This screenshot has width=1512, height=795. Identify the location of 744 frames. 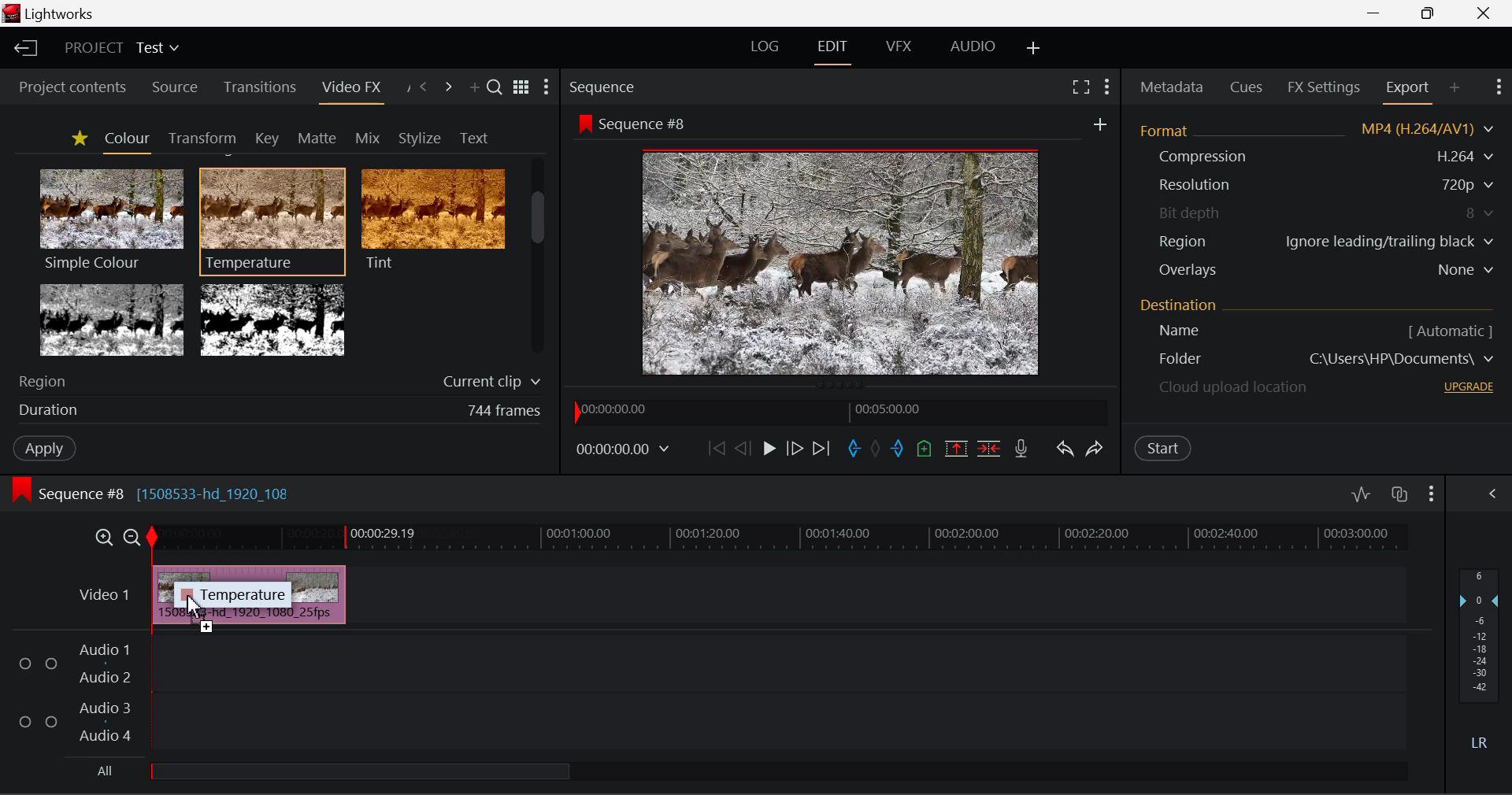
(504, 411).